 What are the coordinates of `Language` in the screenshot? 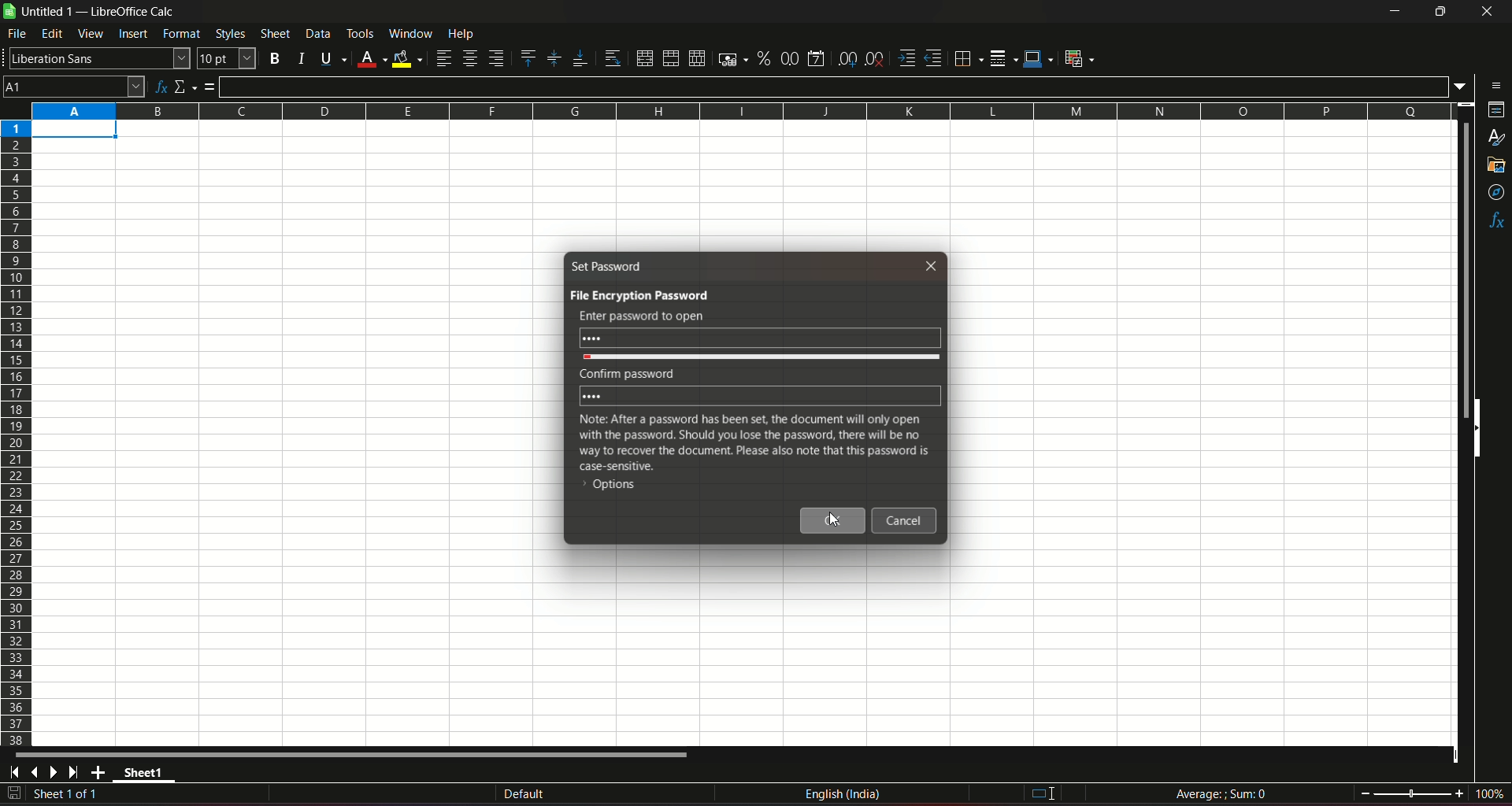 It's located at (844, 794).